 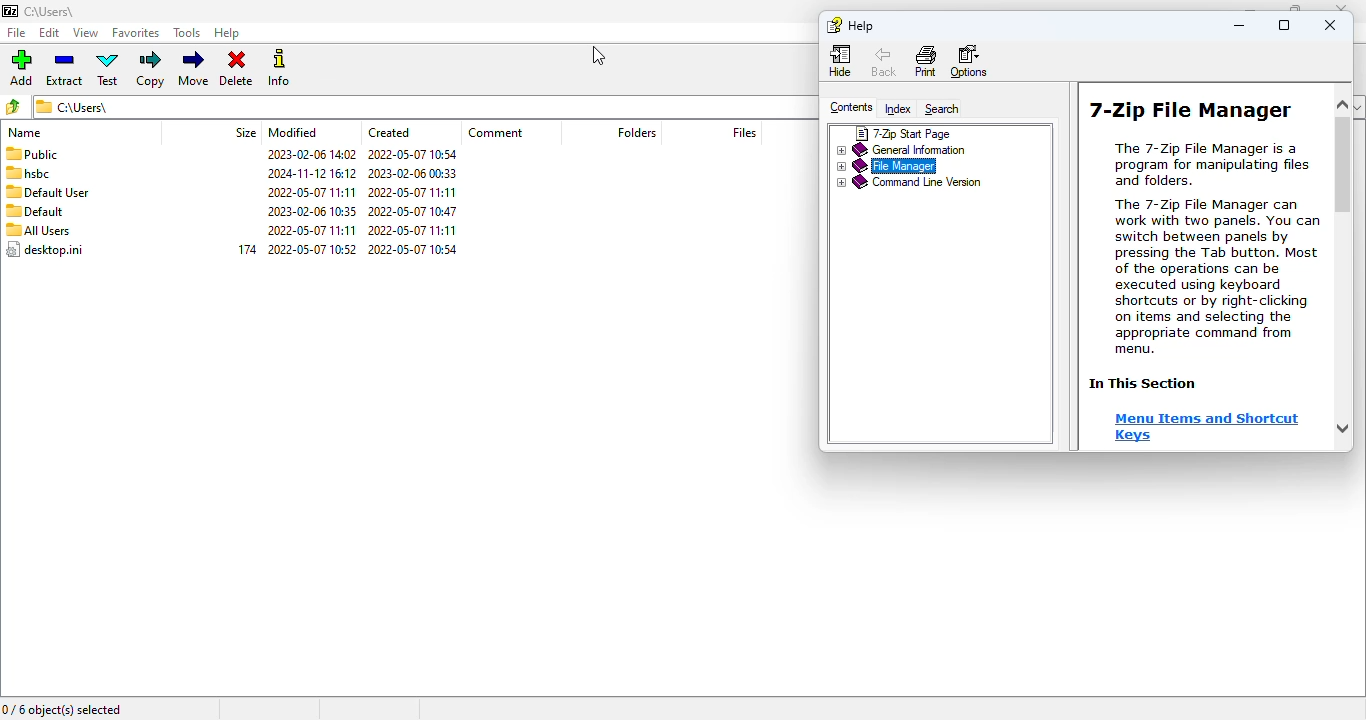 What do you see at coordinates (908, 183) in the screenshot?
I see `command line version` at bounding box center [908, 183].